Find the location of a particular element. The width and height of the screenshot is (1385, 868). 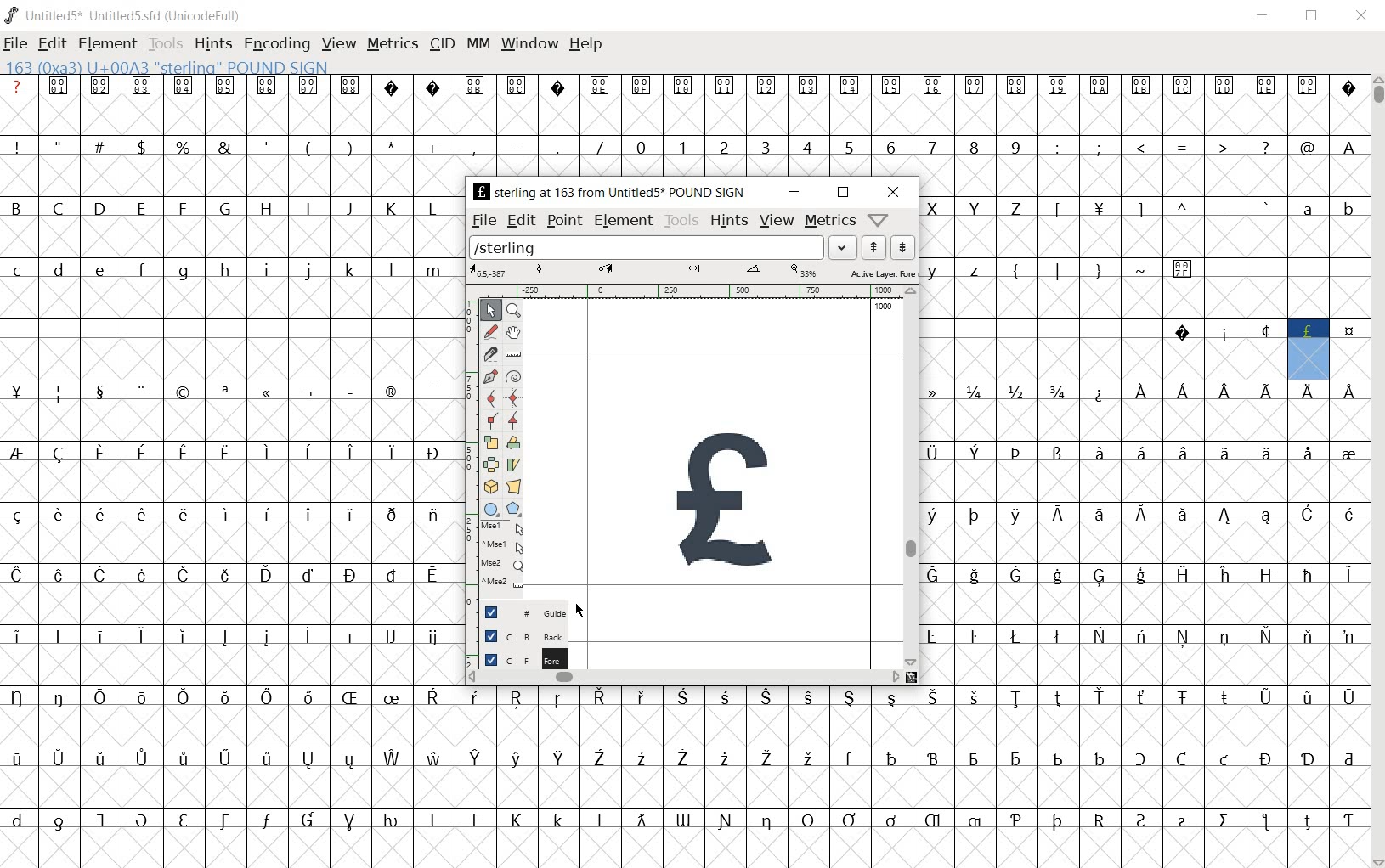

pen is located at coordinates (491, 379).